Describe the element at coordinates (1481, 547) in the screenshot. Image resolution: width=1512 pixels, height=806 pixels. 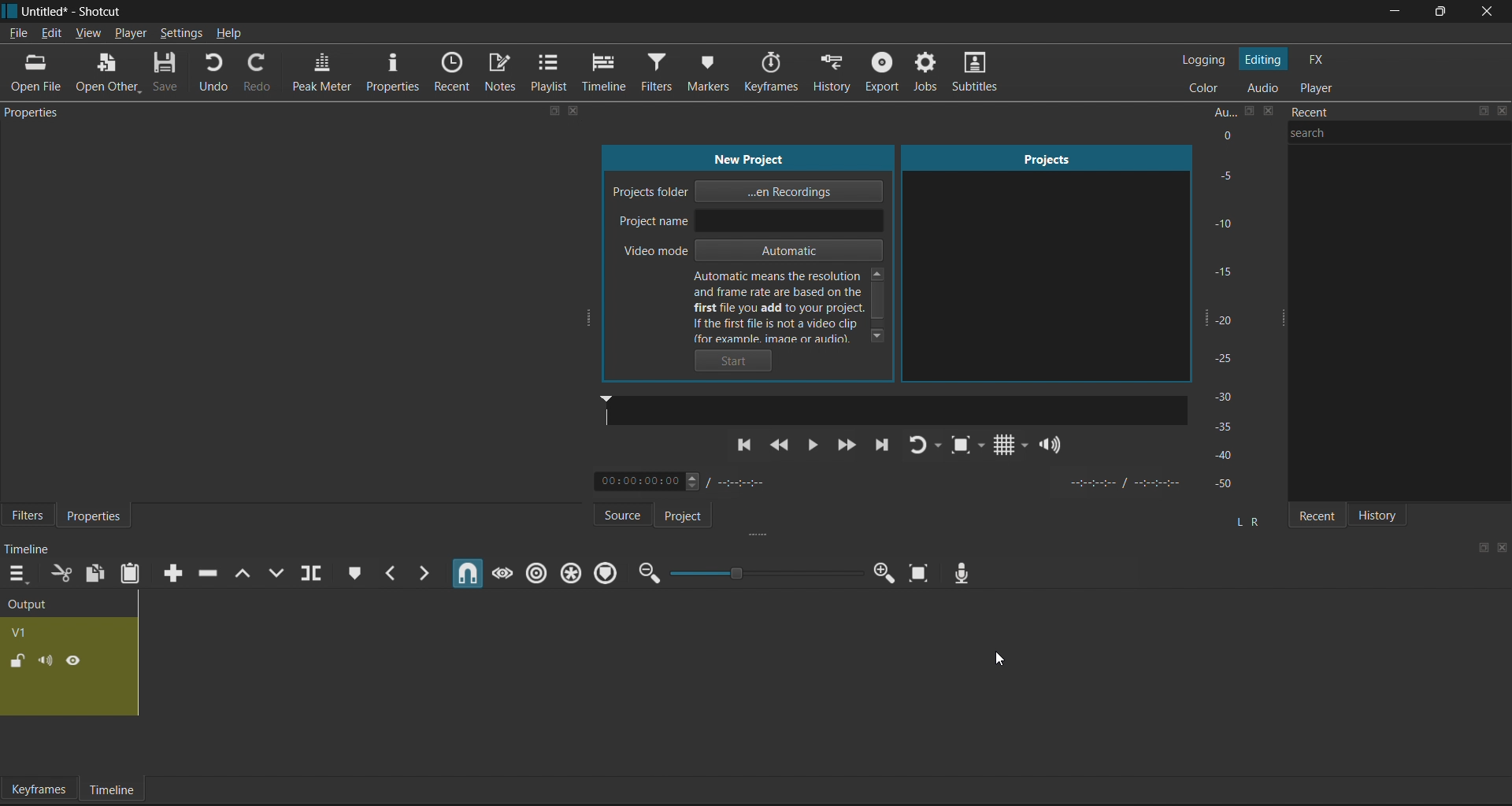
I see `maximize` at that location.